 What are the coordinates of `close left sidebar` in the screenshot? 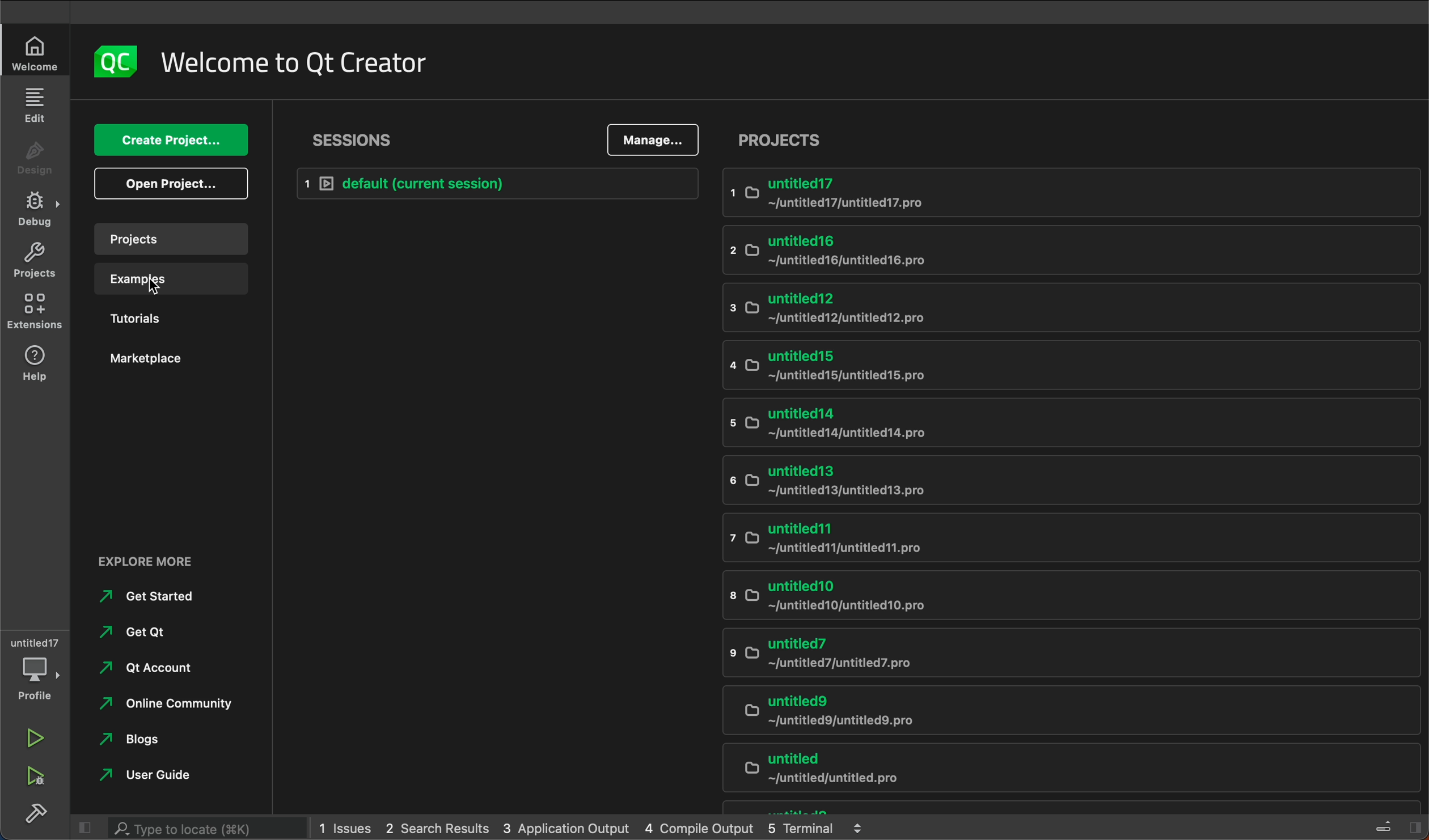 It's located at (87, 826).